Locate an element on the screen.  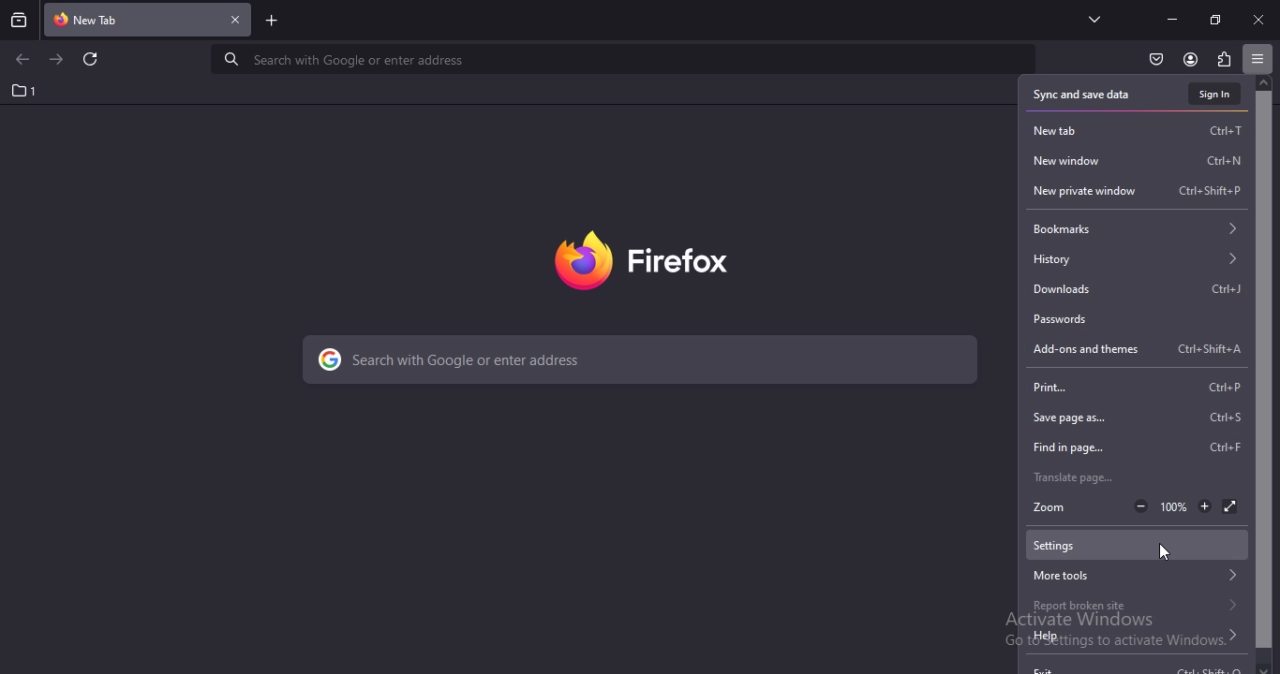
zoom out is located at coordinates (1139, 506).